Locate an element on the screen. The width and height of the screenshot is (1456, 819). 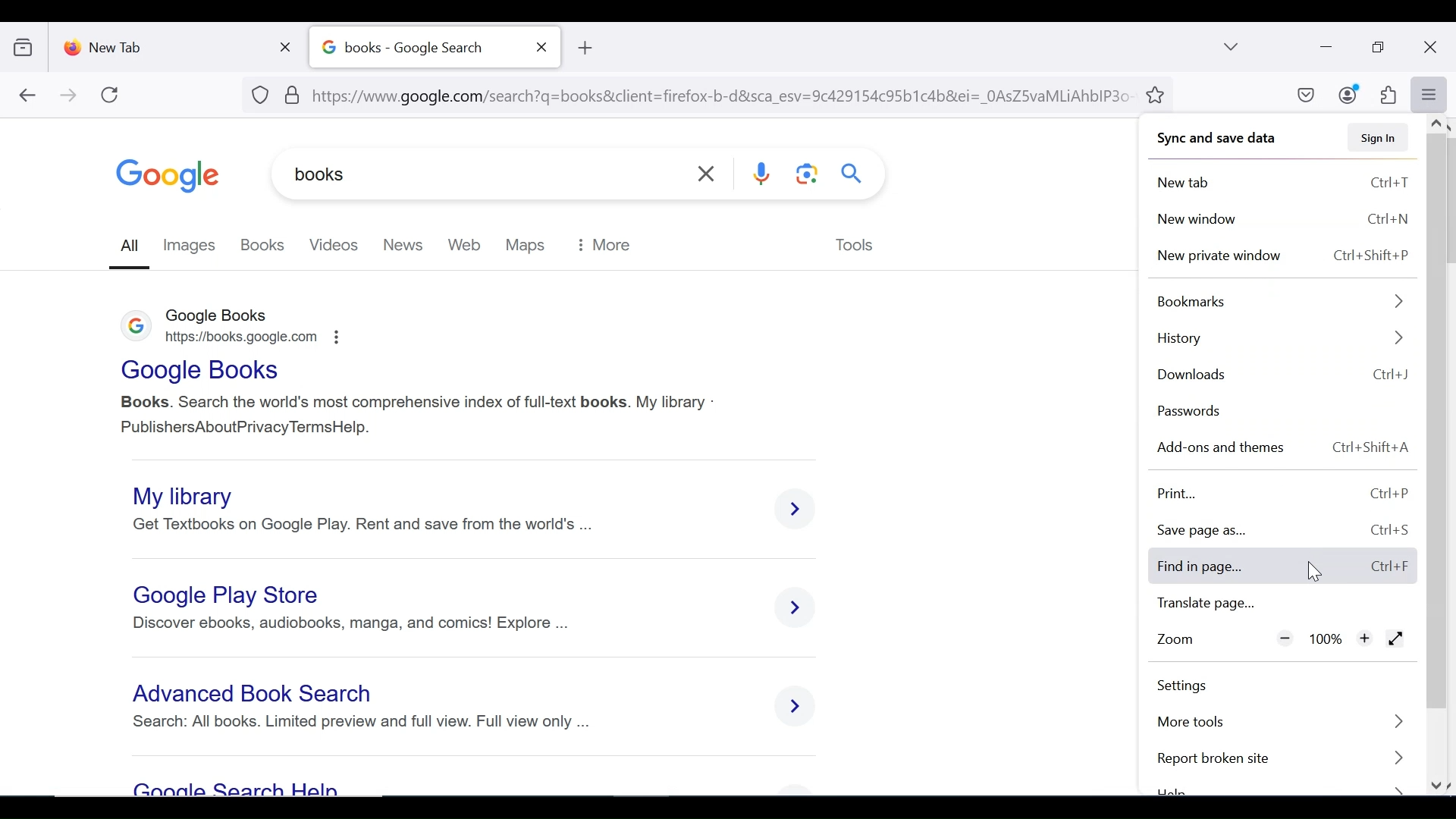
zoom is located at coordinates (1179, 643).